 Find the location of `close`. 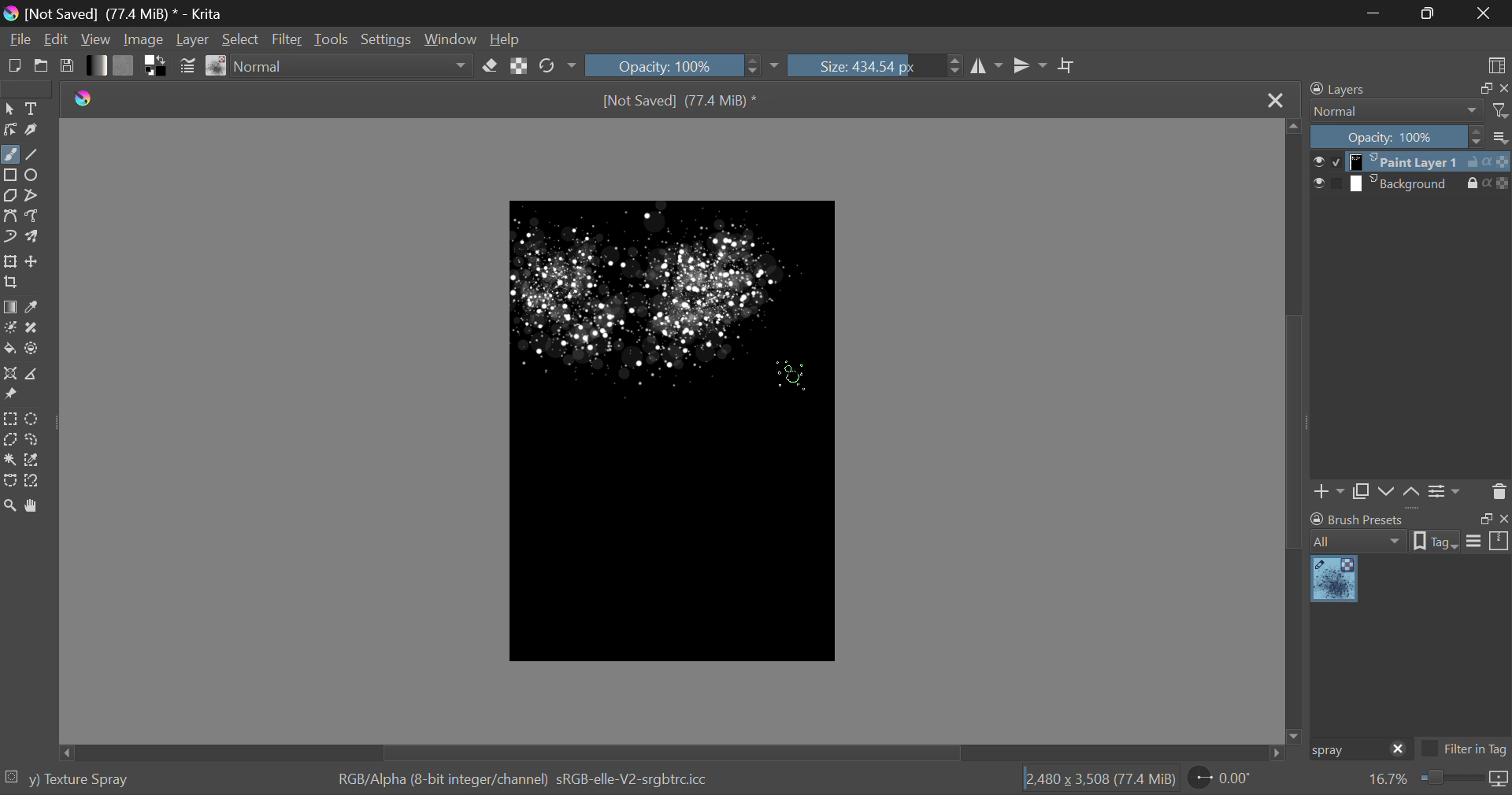

close is located at coordinates (1503, 519).